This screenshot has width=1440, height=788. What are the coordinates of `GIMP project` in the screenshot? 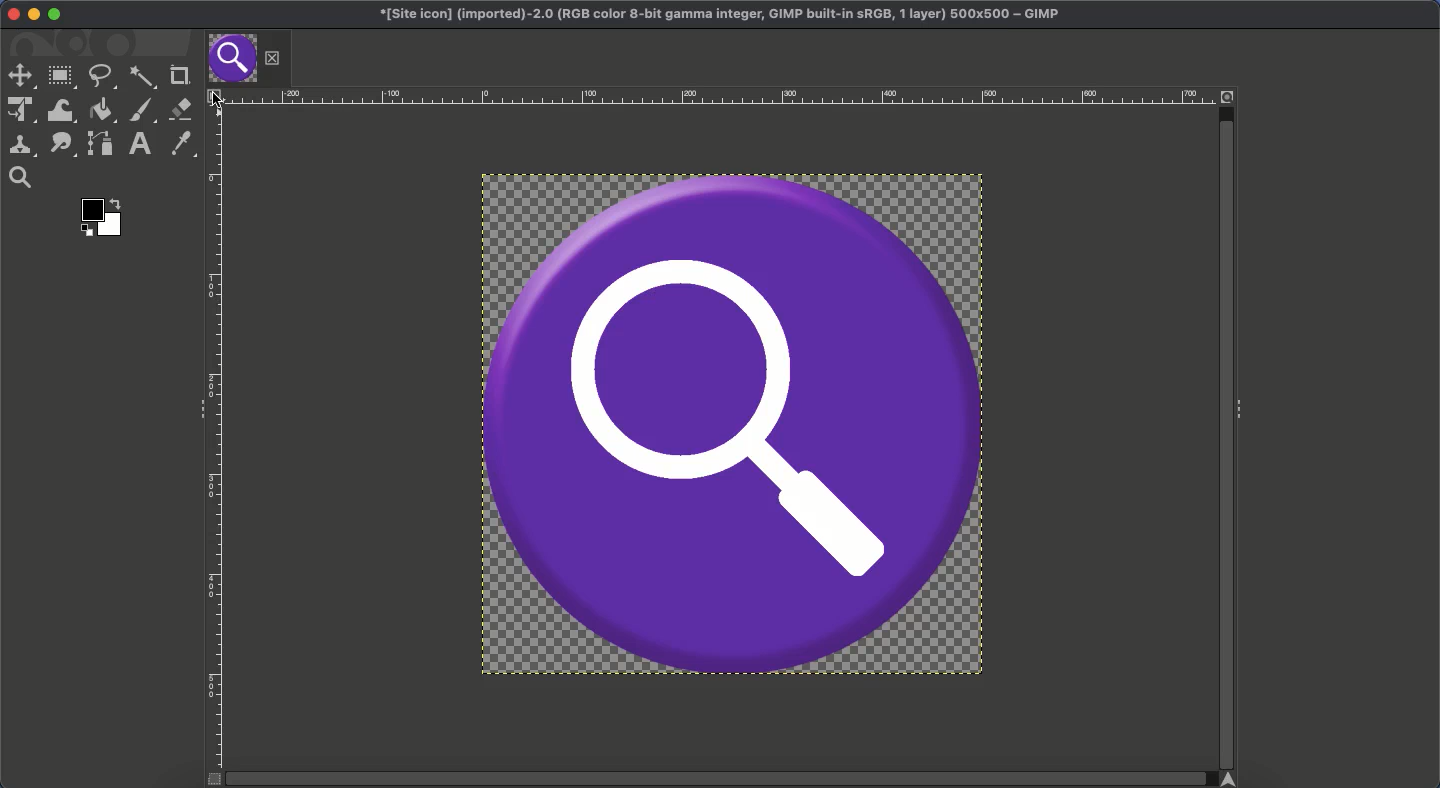 It's located at (724, 13).